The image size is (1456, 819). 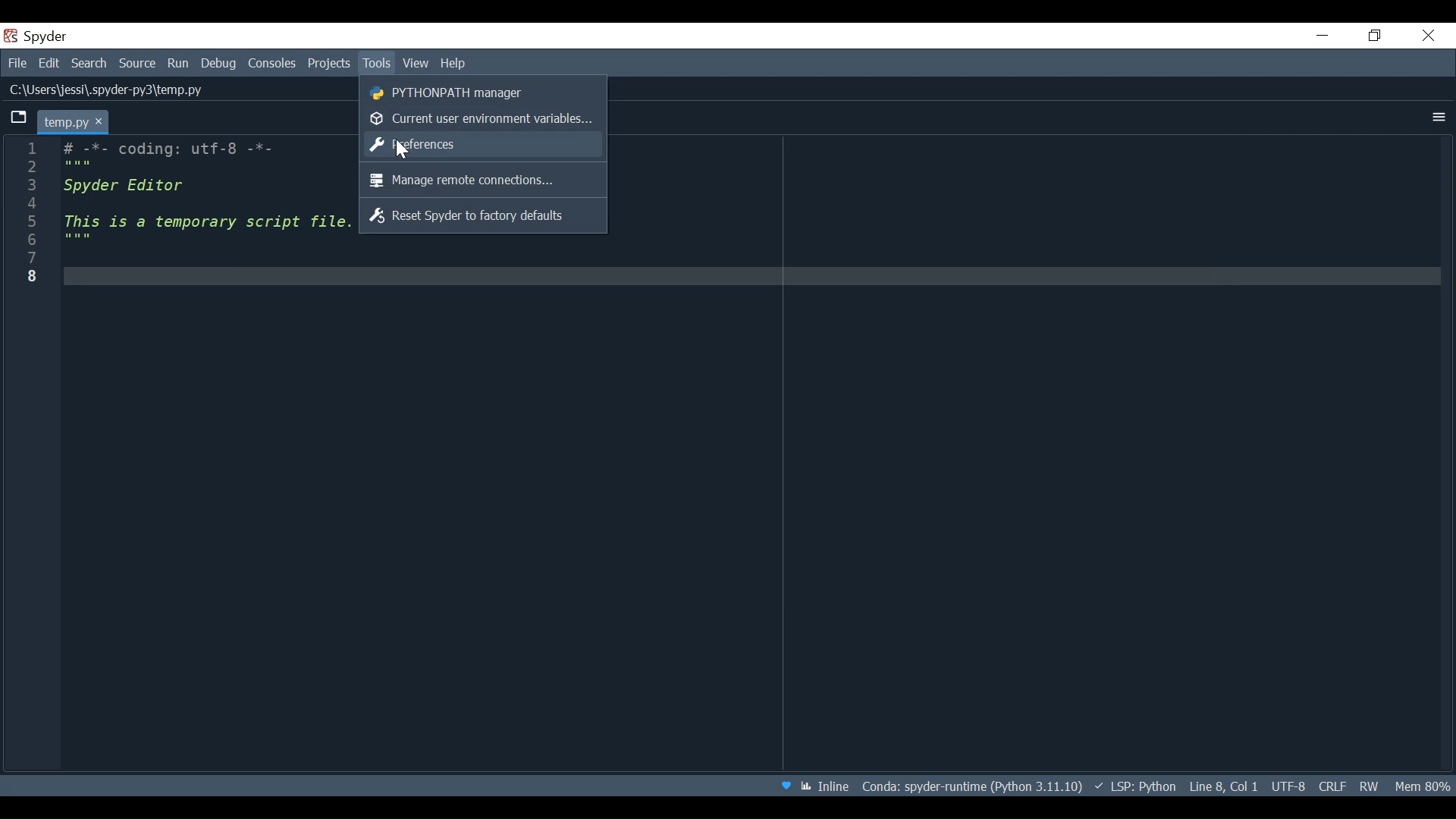 What do you see at coordinates (1429, 34) in the screenshot?
I see `Close` at bounding box center [1429, 34].